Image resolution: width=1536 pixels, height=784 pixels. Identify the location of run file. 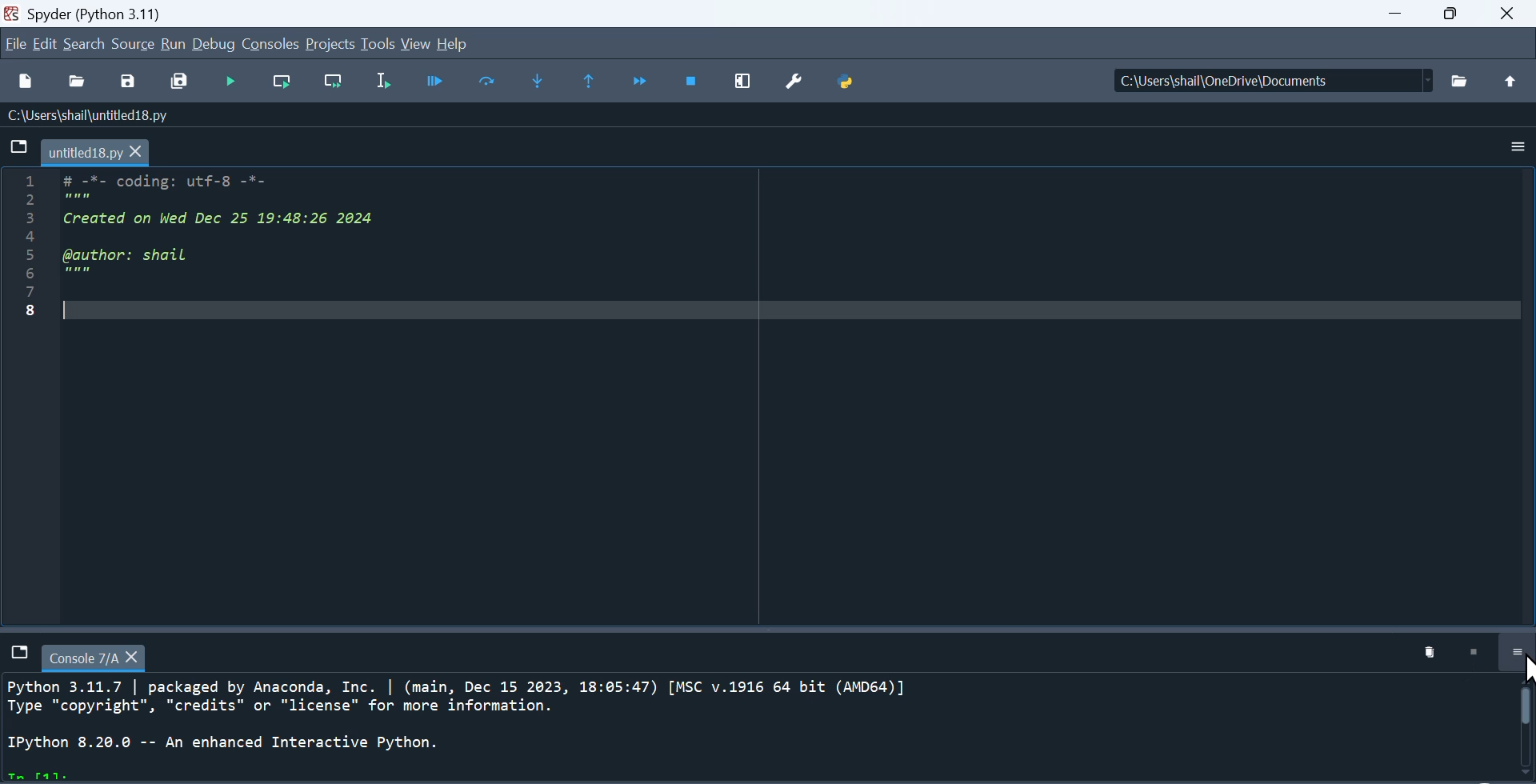
(231, 82).